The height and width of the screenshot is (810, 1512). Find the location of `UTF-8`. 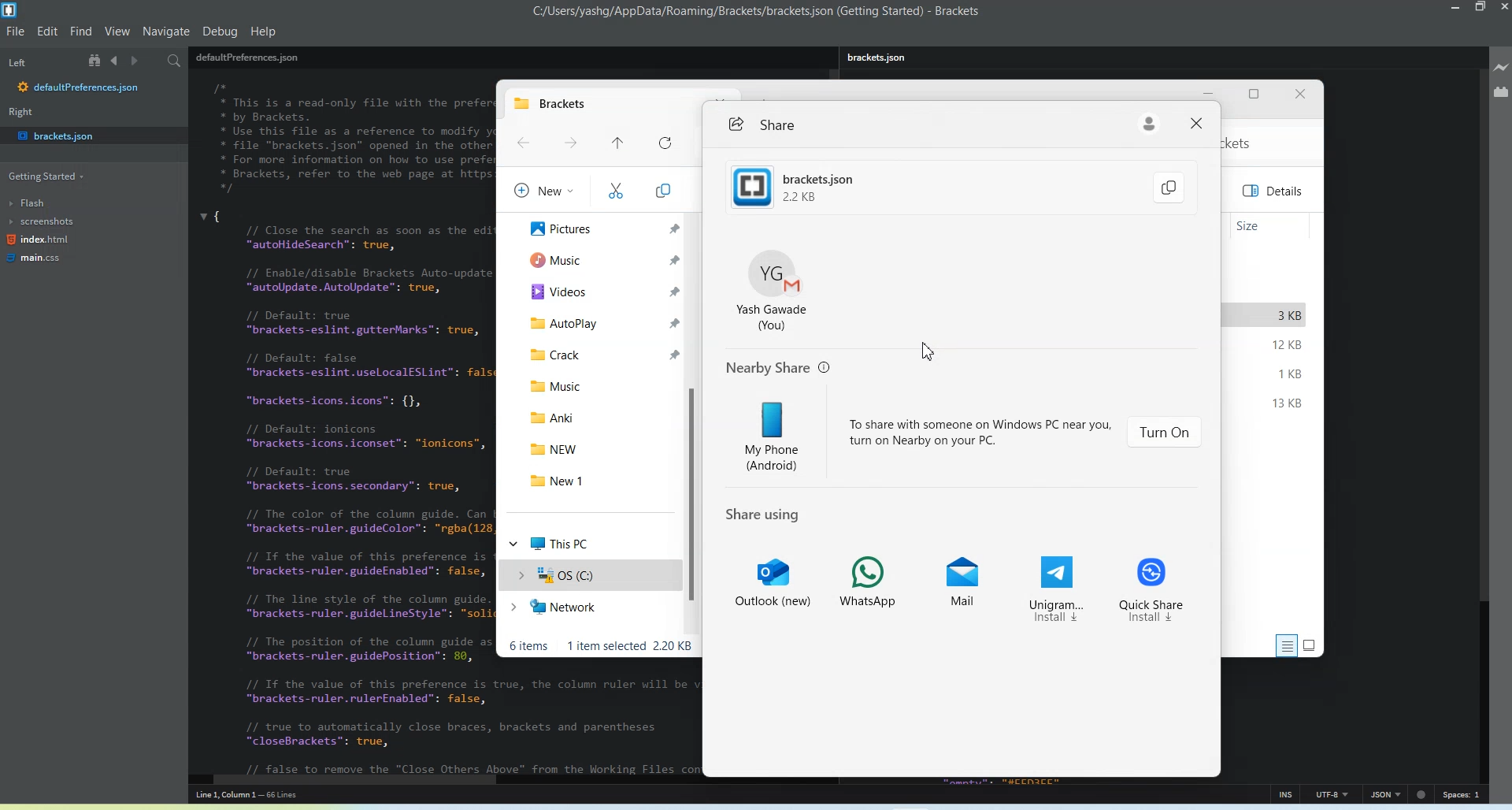

UTF-8 is located at coordinates (1335, 795).